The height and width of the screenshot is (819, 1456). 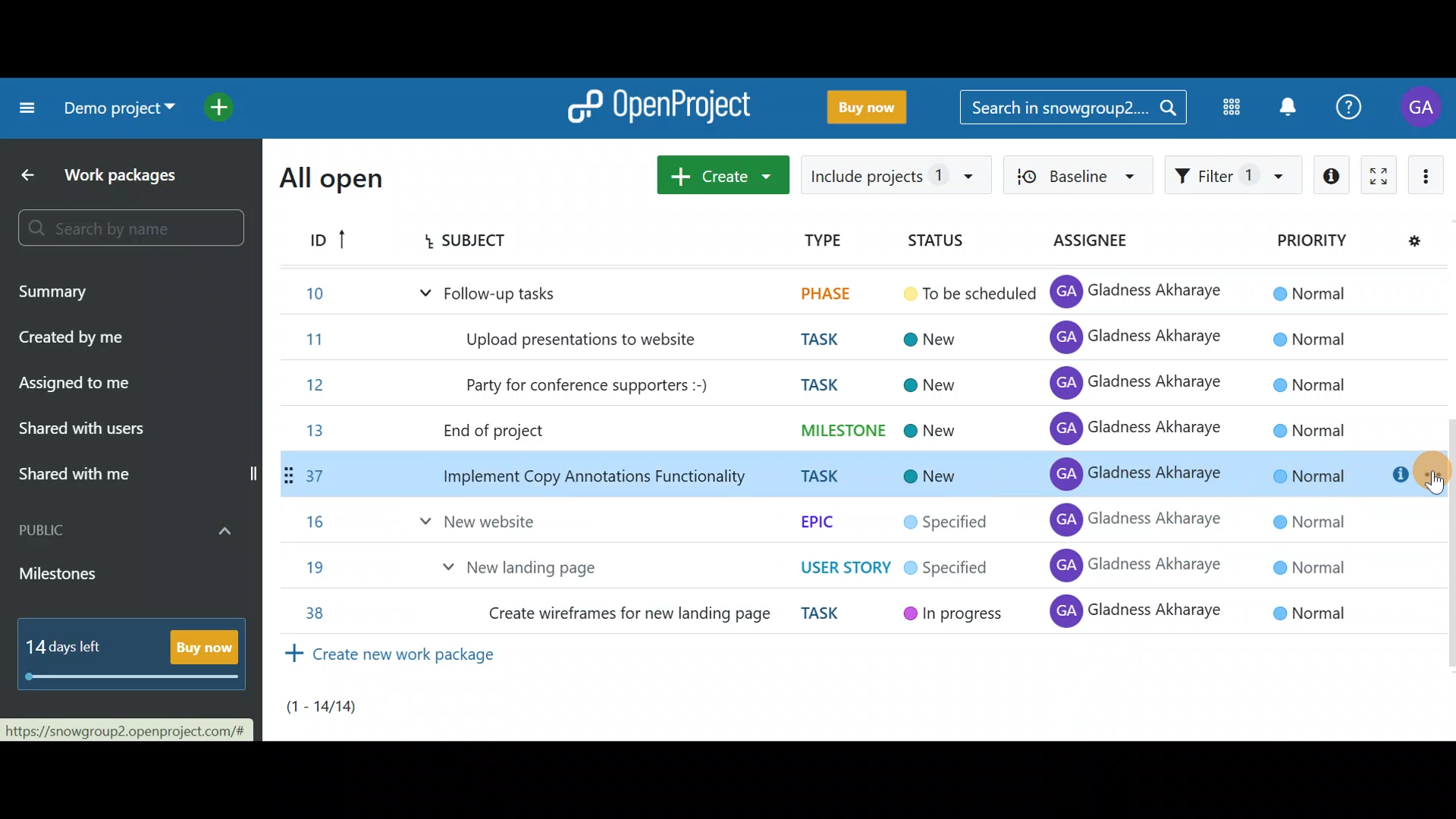 What do you see at coordinates (591, 385) in the screenshot?
I see `Party for conference supporters :-)` at bounding box center [591, 385].